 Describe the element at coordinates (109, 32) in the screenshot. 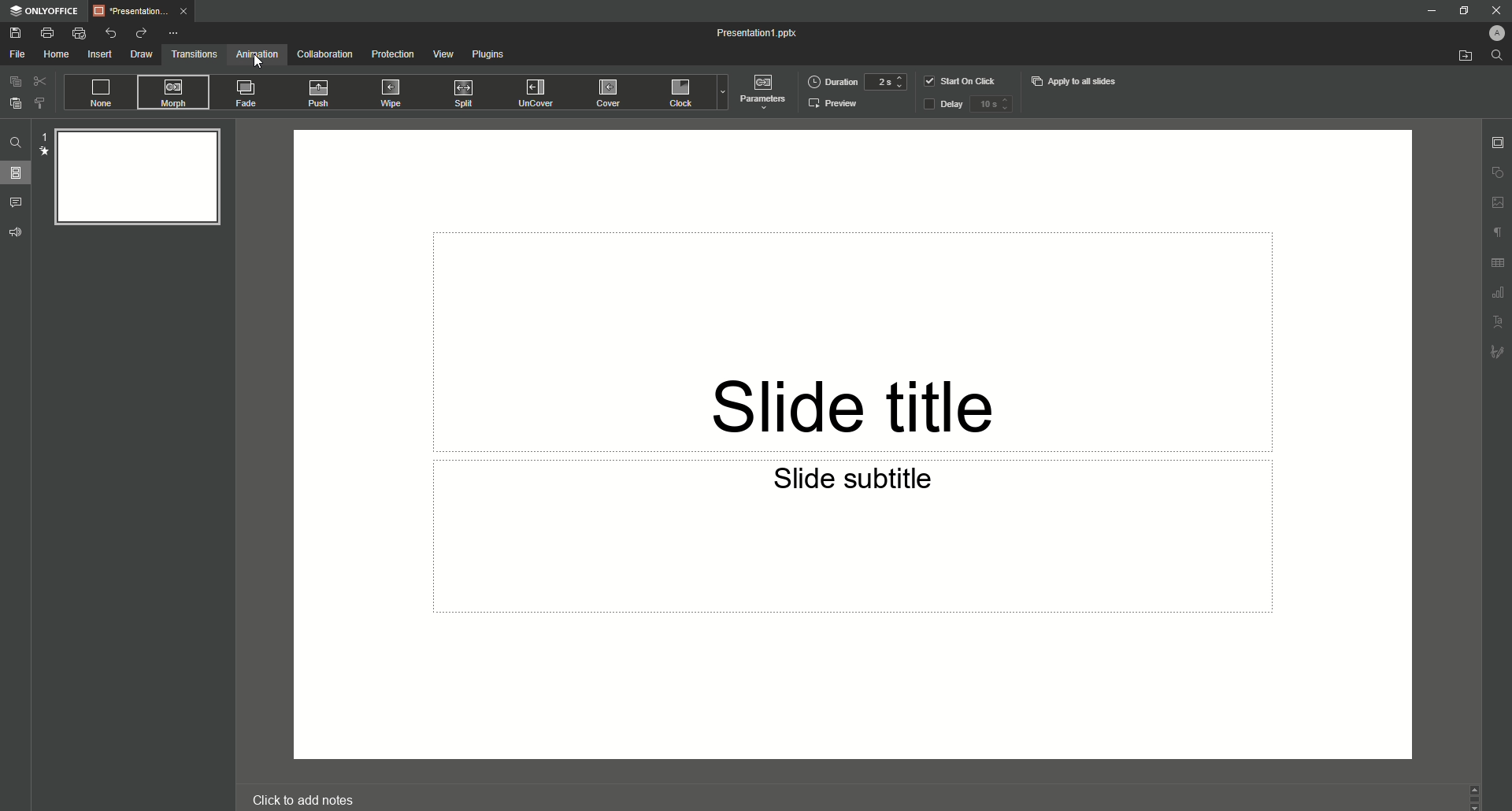

I see `Undo` at that location.